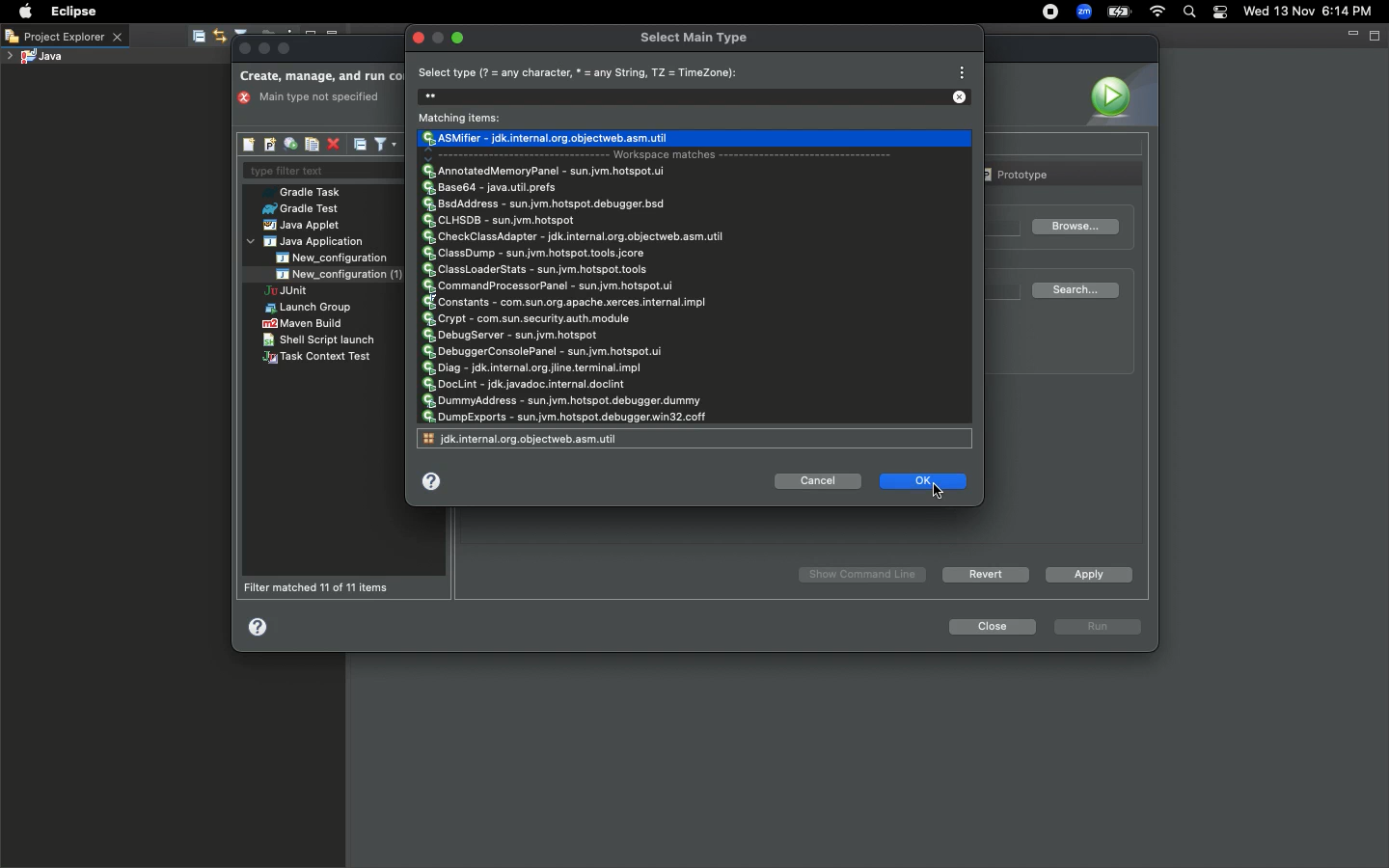 This screenshot has width=1389, height=868. What do you see at coordinates (1081, 14) in the screenshot?
I see `Zoom` at bounding box center [1081, 14].